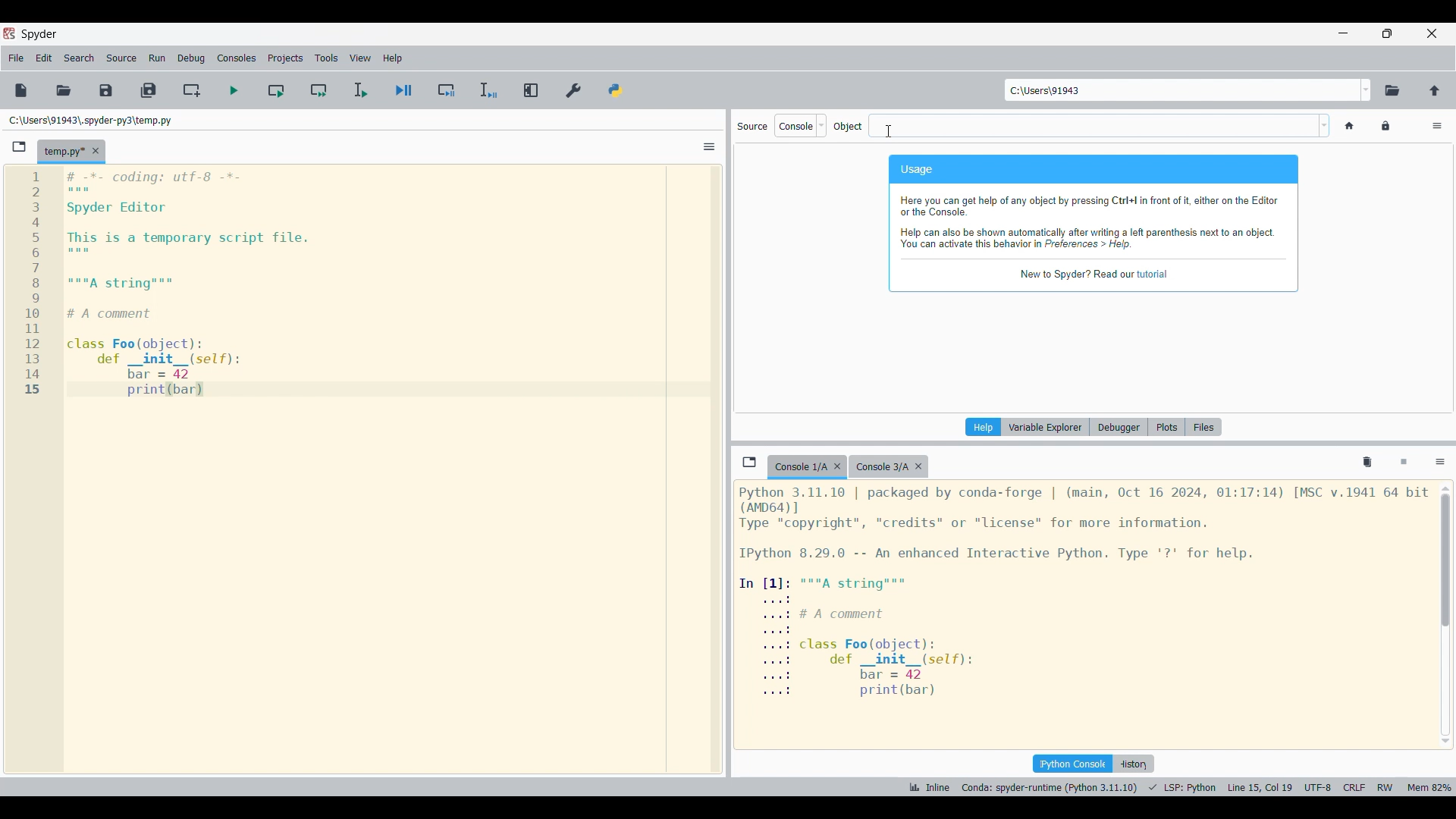  What do you see at coordinates (1432, 33) in the screenshot?
I see `Close interface` at bounding box center [1432, 33].